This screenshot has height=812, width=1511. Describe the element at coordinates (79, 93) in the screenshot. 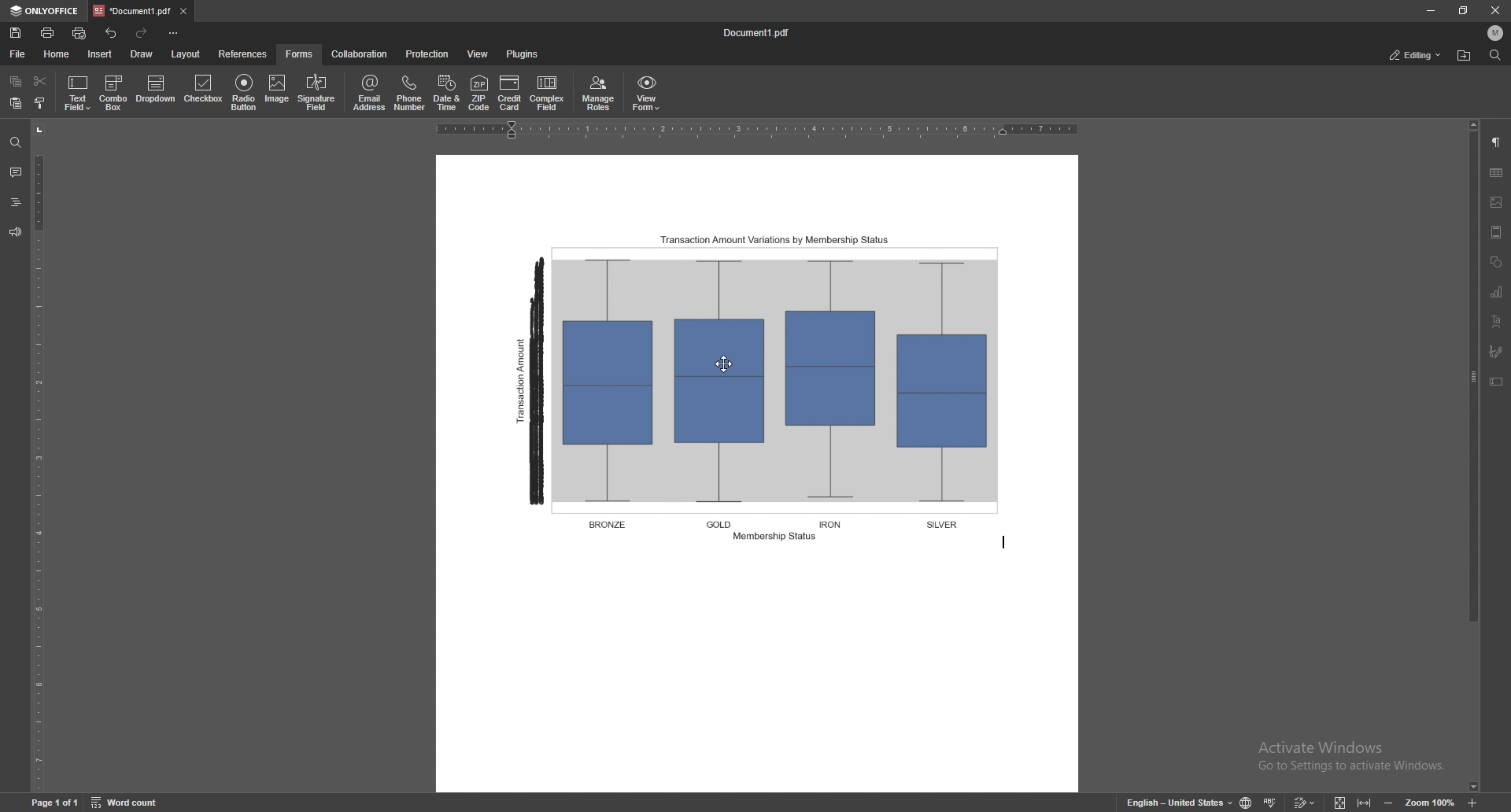

I see `text field` at that location.